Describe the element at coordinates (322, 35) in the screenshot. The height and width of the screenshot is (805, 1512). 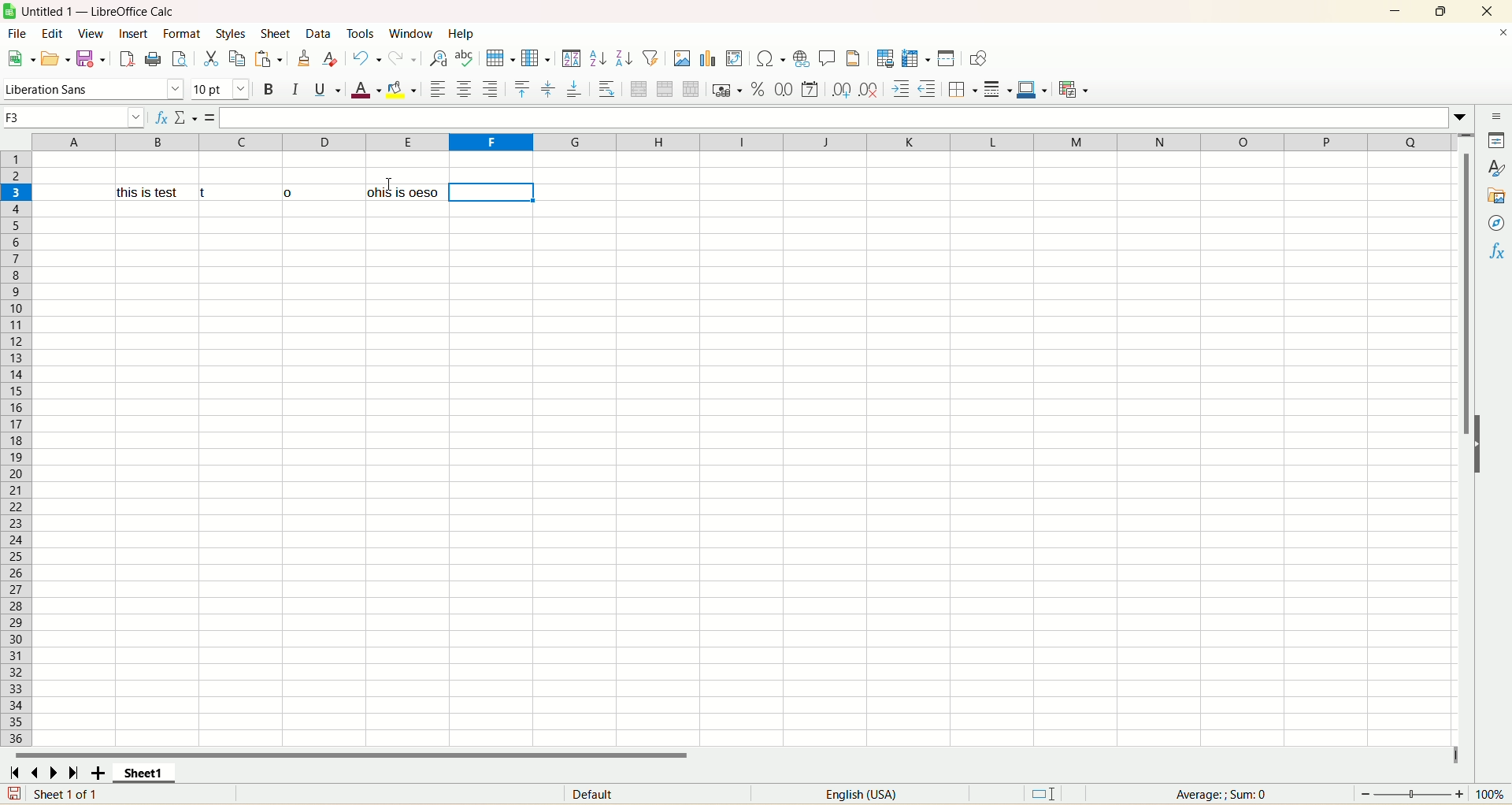
I see `data` at that location.